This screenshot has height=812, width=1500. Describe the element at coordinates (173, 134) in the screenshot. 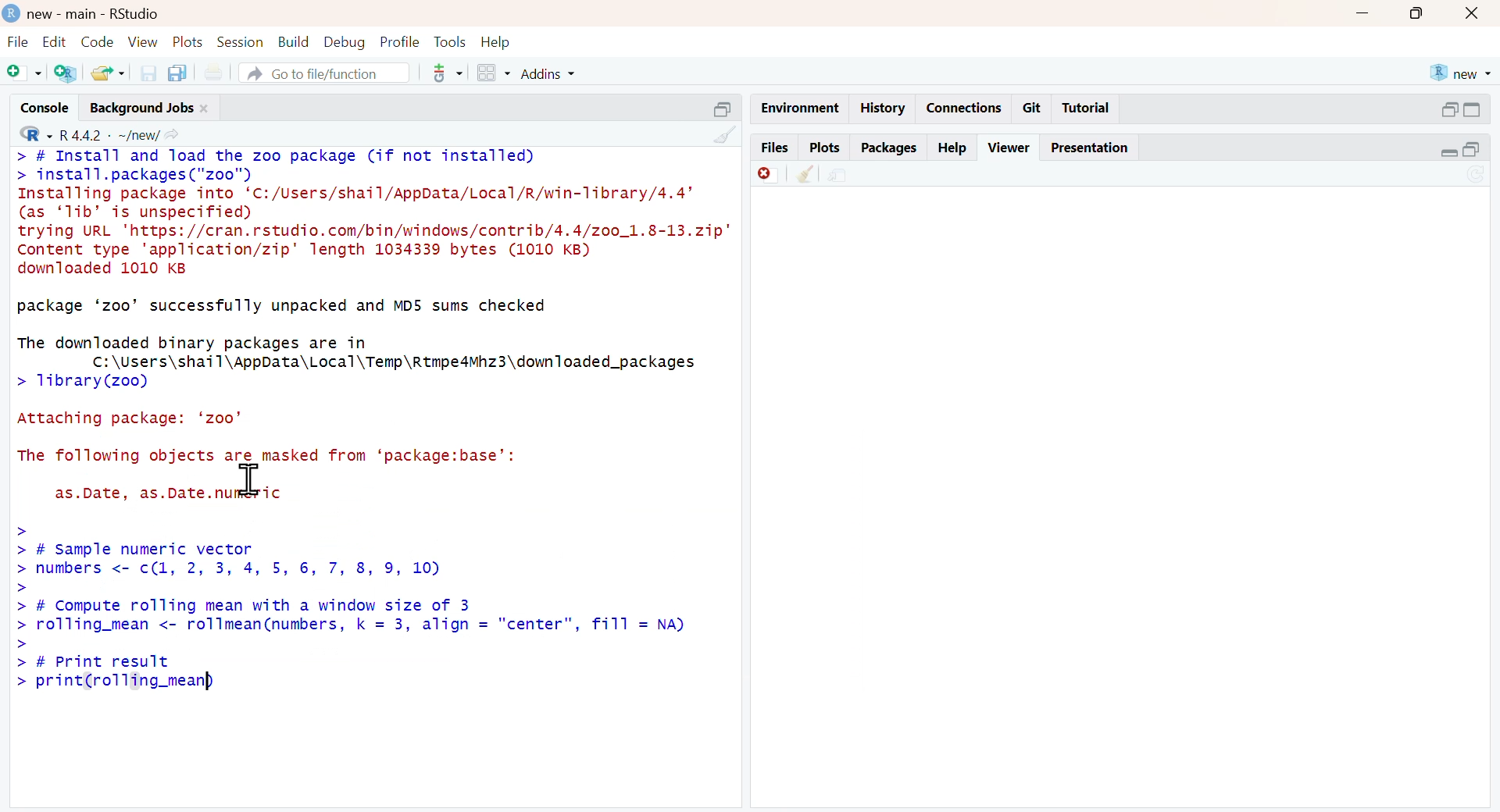

I see `share icon` at that location.